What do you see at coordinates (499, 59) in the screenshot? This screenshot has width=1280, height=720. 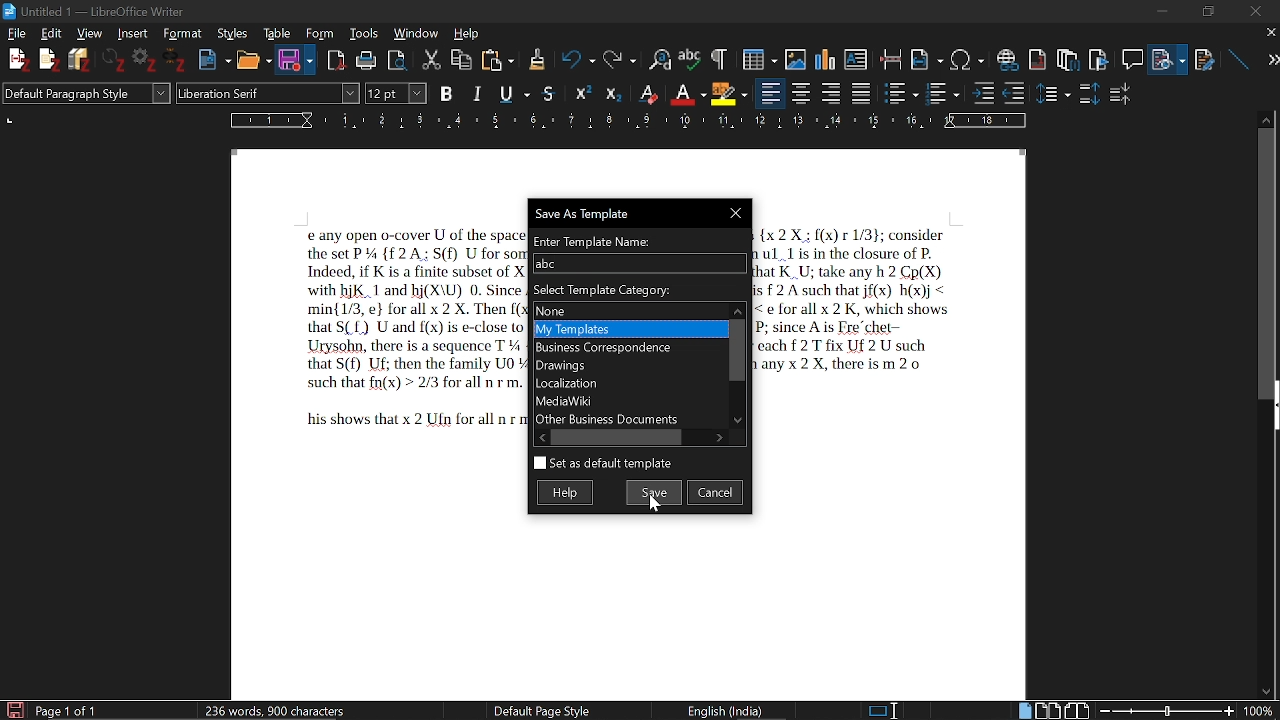 I see `Paste` at bounding box center [499, 59].